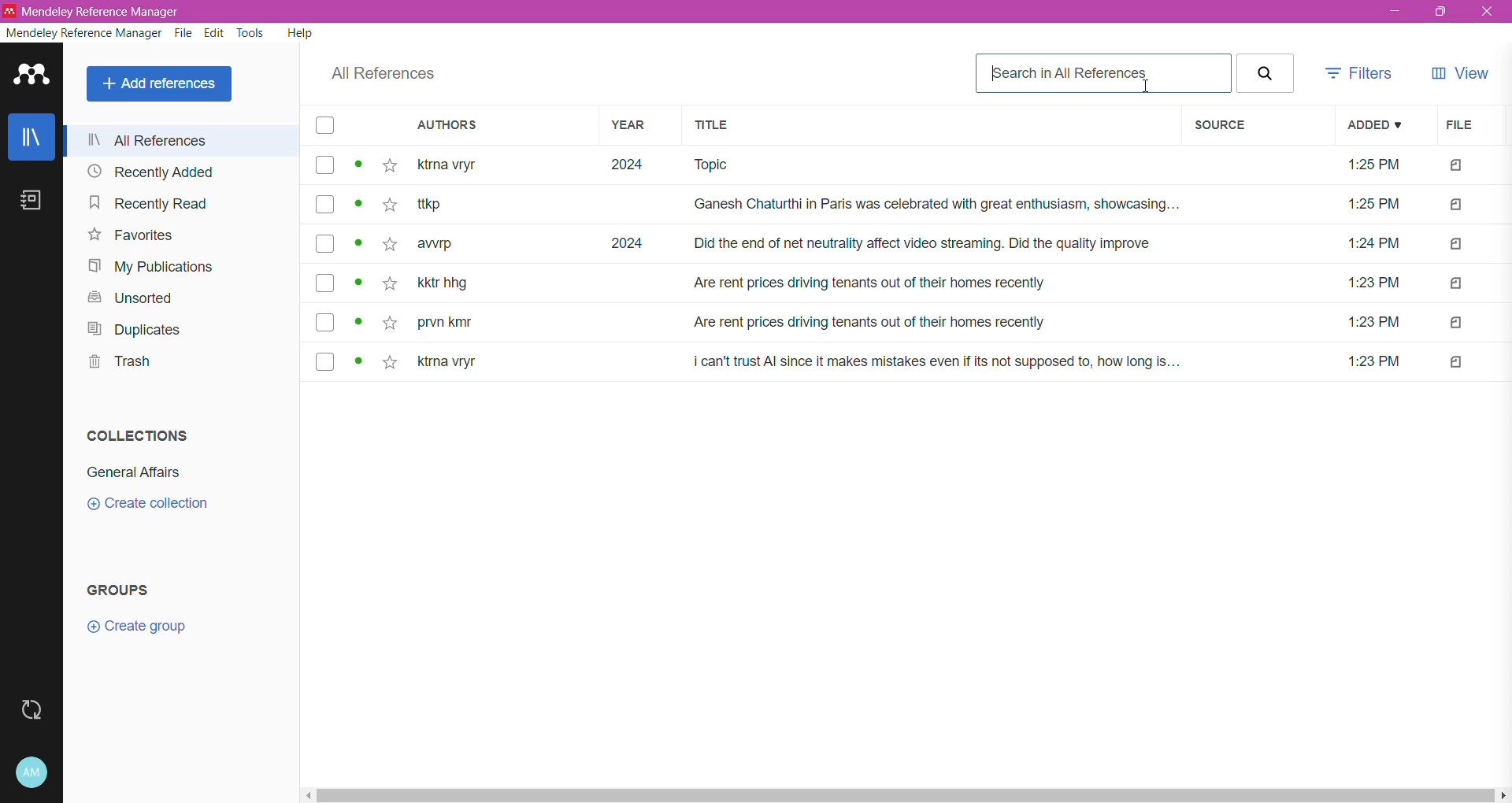  I want to click on view status of the file, so click(359, 322).